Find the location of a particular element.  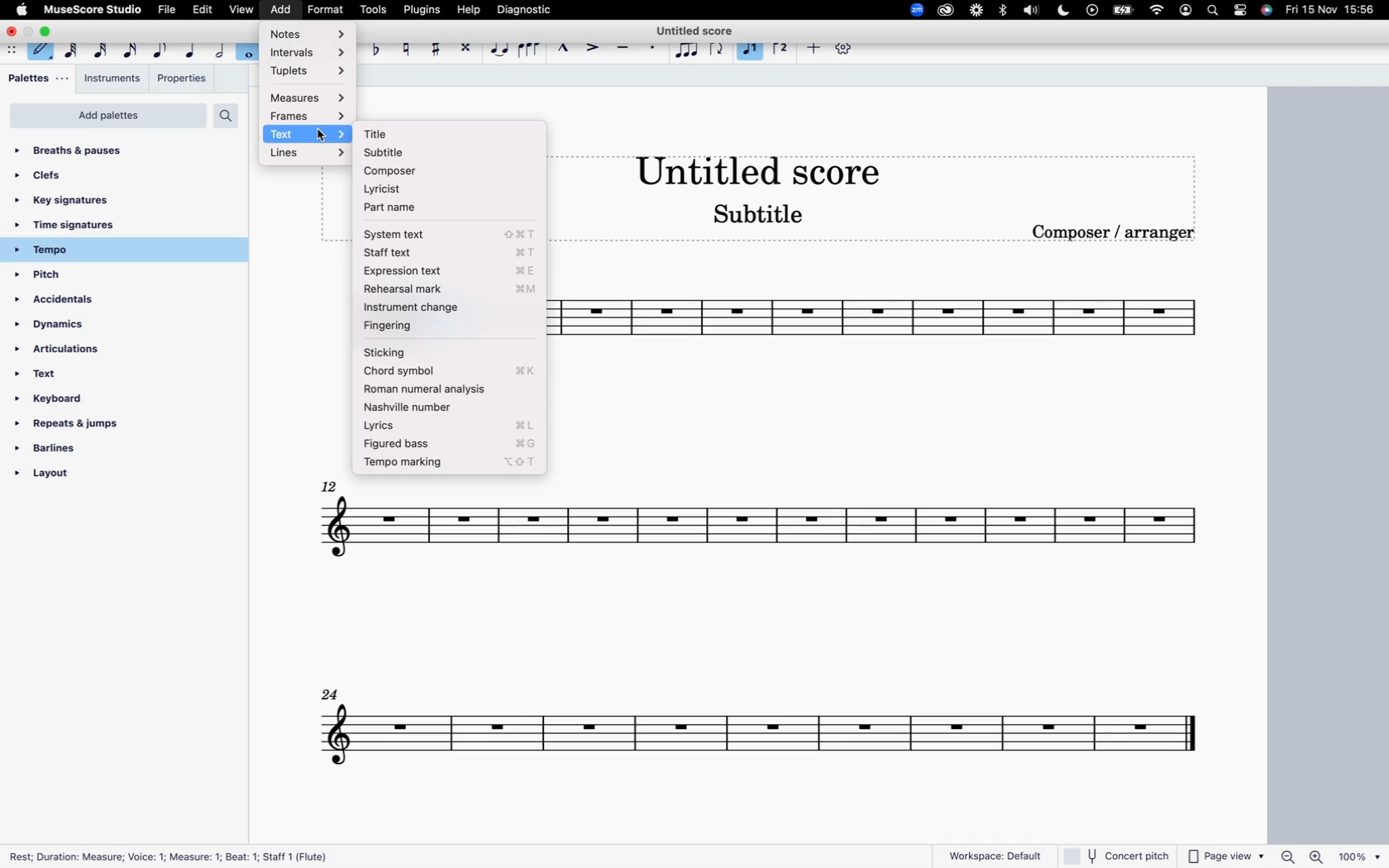

staff text is located at coordinates (447, 251).